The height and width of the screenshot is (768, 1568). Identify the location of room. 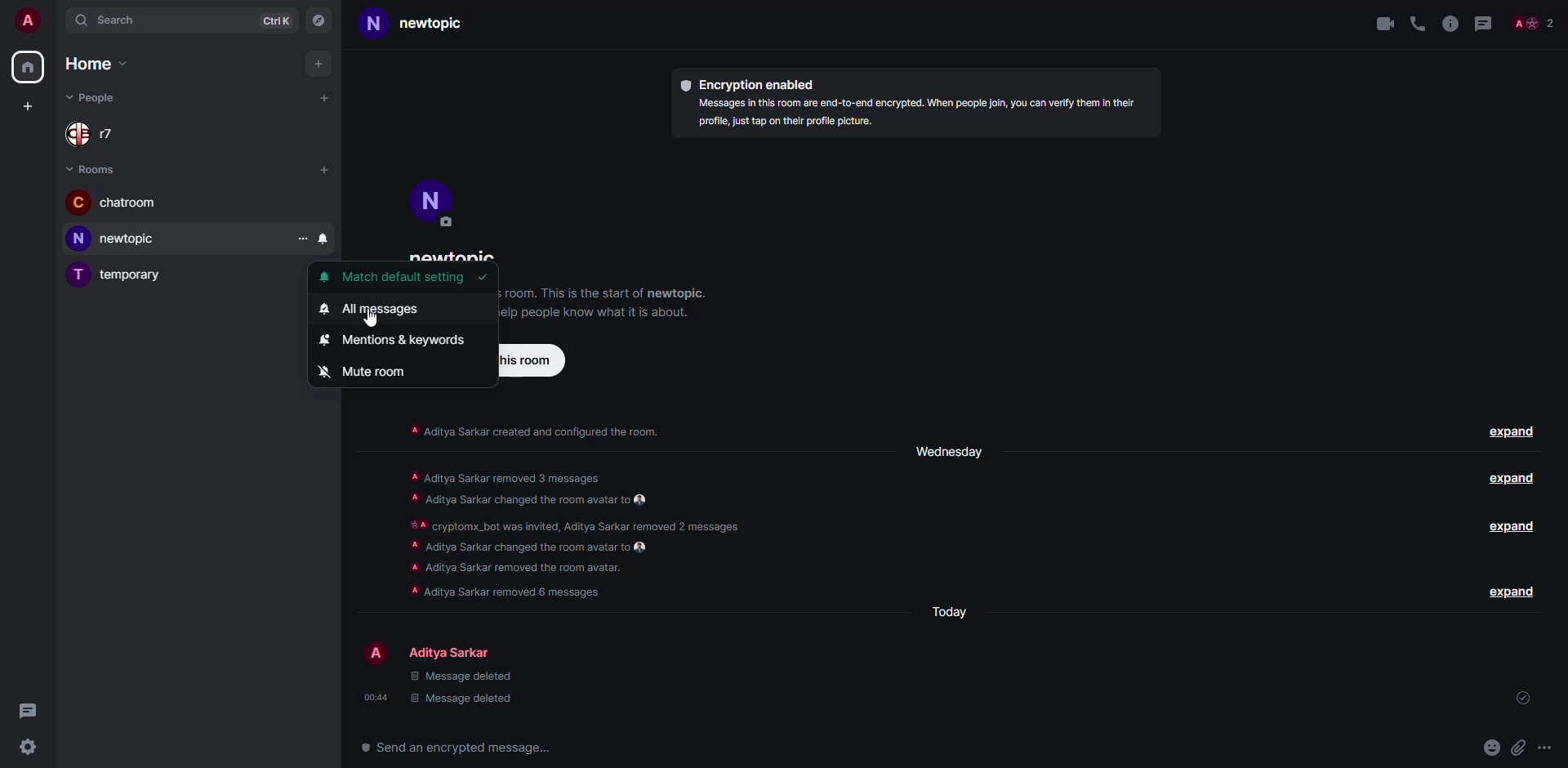
(115, 203).